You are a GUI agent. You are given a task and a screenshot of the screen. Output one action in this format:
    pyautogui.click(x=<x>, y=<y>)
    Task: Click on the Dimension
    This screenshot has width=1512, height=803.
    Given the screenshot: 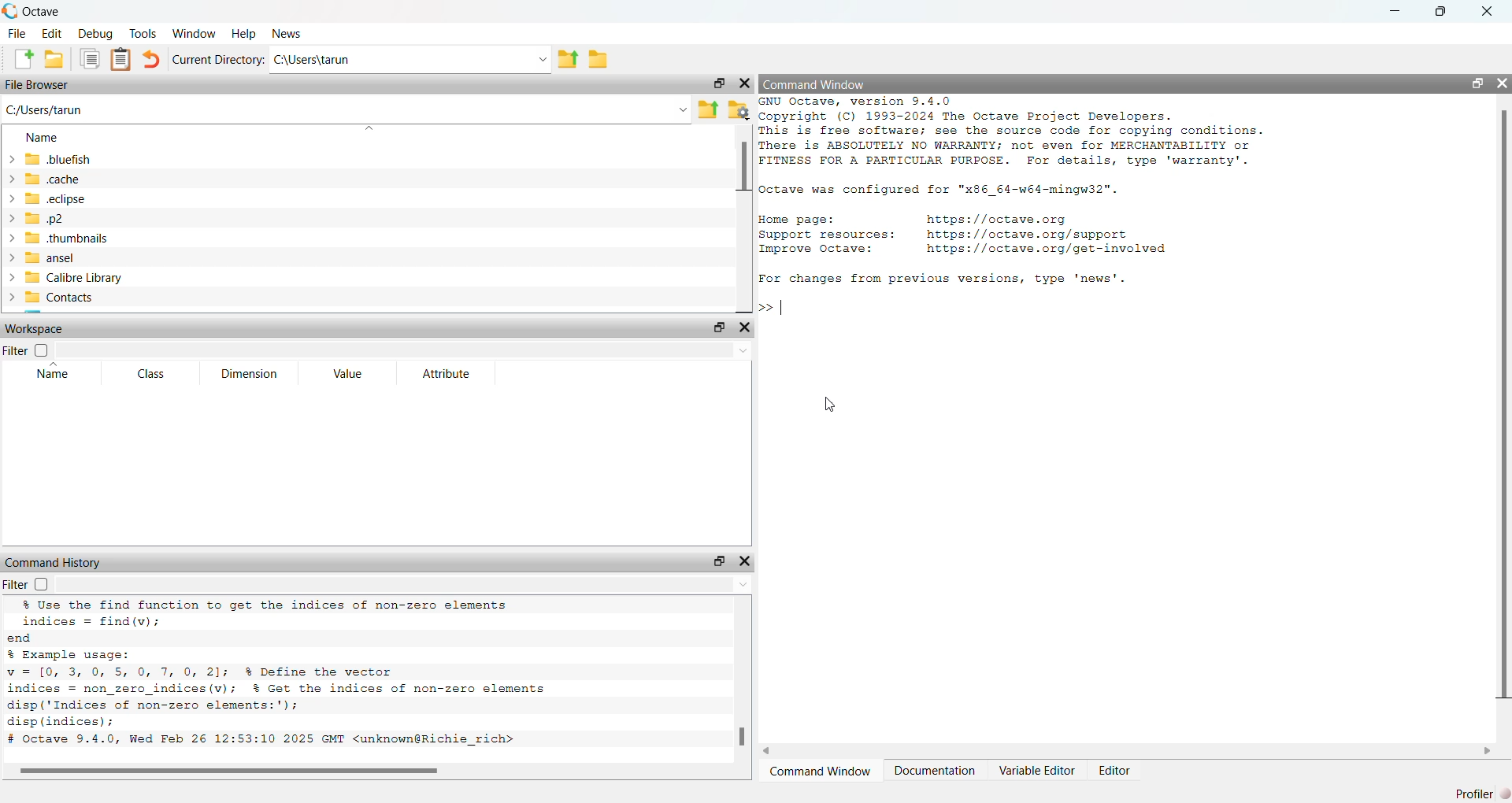 What is the action you would take?
    pyautogui.click(x=249, y=373)
    